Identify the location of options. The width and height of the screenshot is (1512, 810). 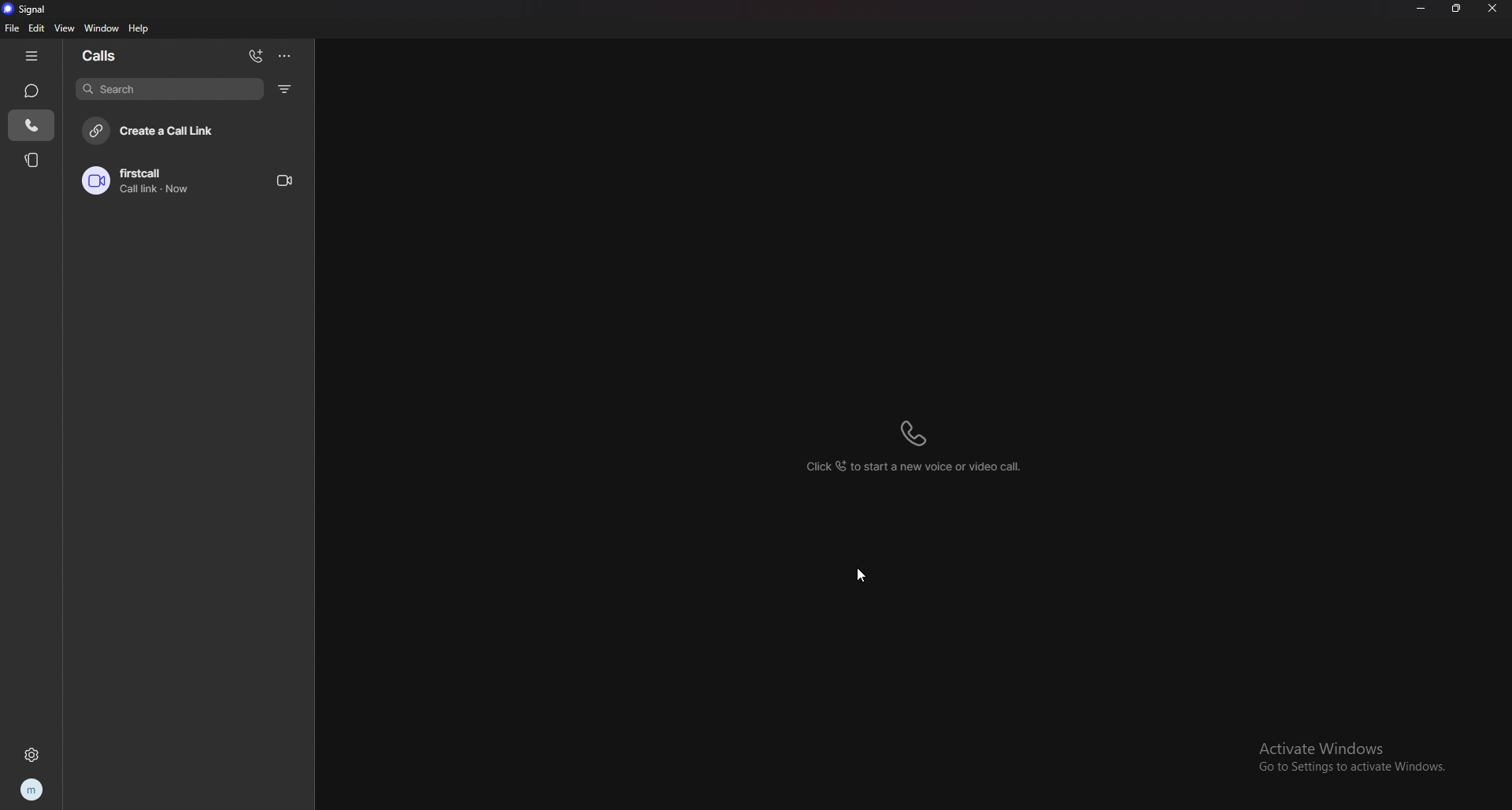
(284, 55).